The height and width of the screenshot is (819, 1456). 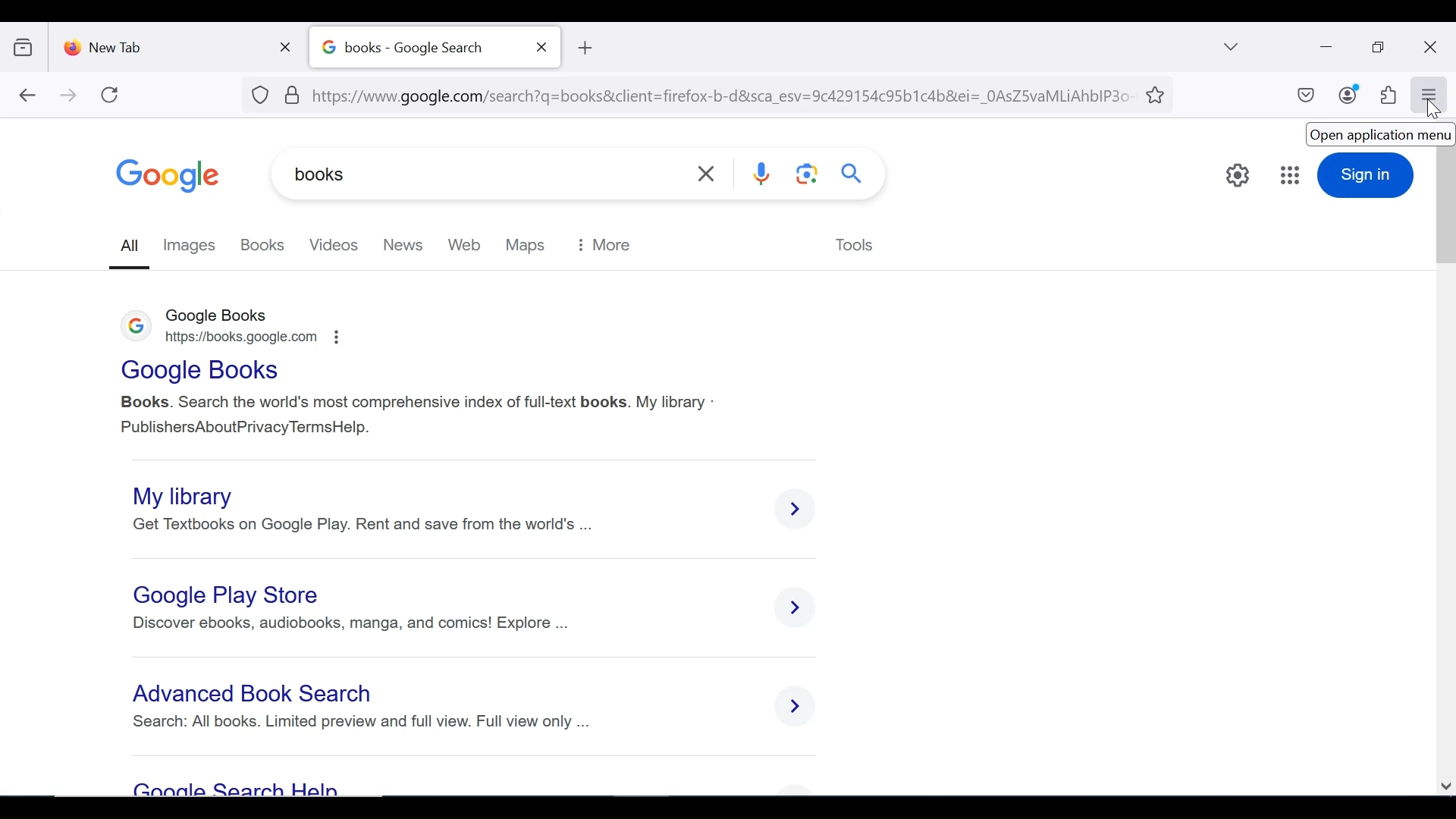 What do you see at coordinates (1379, 133) in the screenshot?
I see `open application menu` at bounding box center [1379, 133].